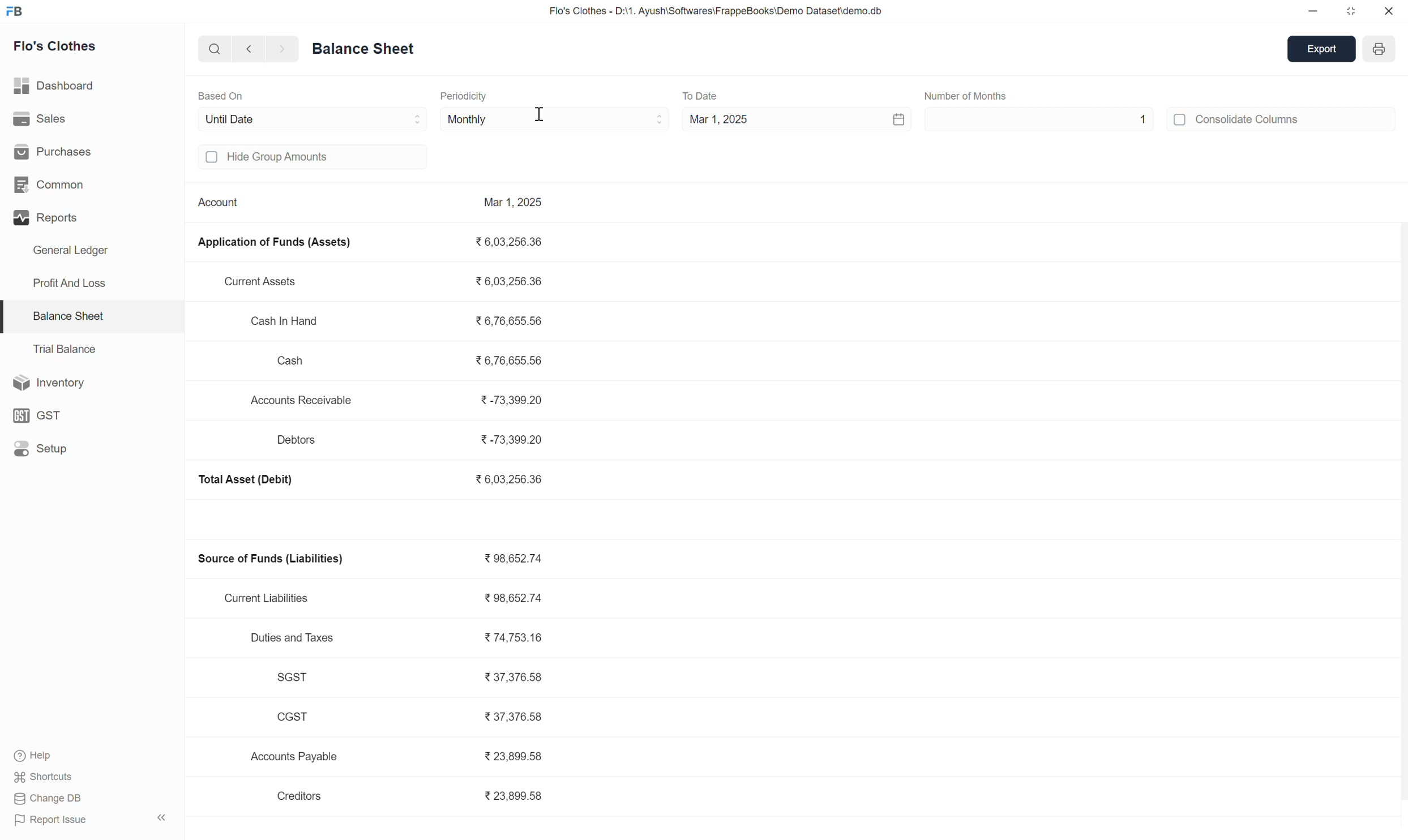 Image resolution: width=1408 pixels, height=840 pixels. I want to click on Hide Group Amounts, so click(291, 158).